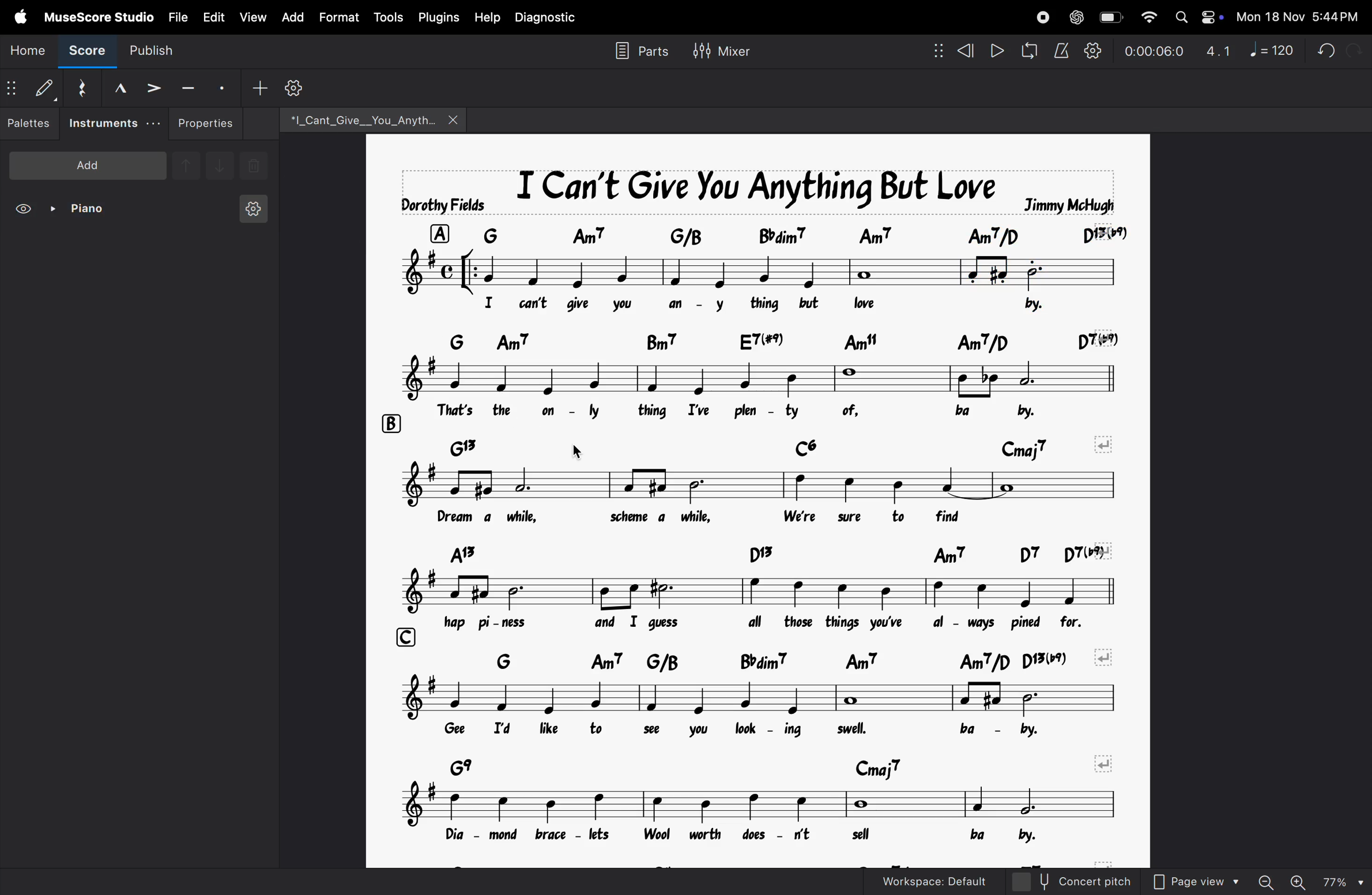  What do you see at coordinates (186, 170) in the screenshot?
I see `upnote` at bounding box center [186, 170].